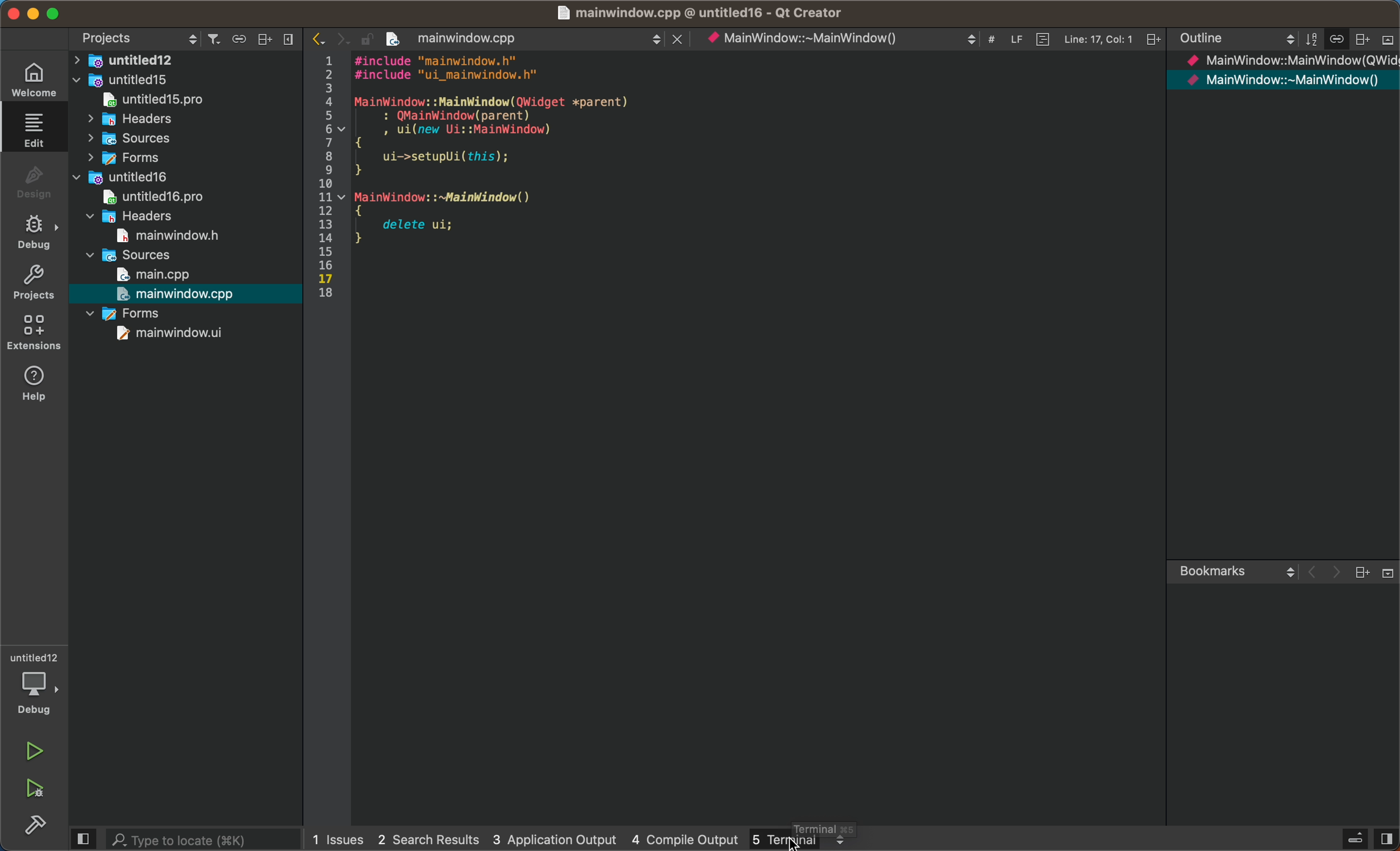 Image resolution: width=1400 pixels, height=851 pixels. What do you see at coordinates (35, 130) in the screenshot?
I see `edit` at bounding box center [35, 130].